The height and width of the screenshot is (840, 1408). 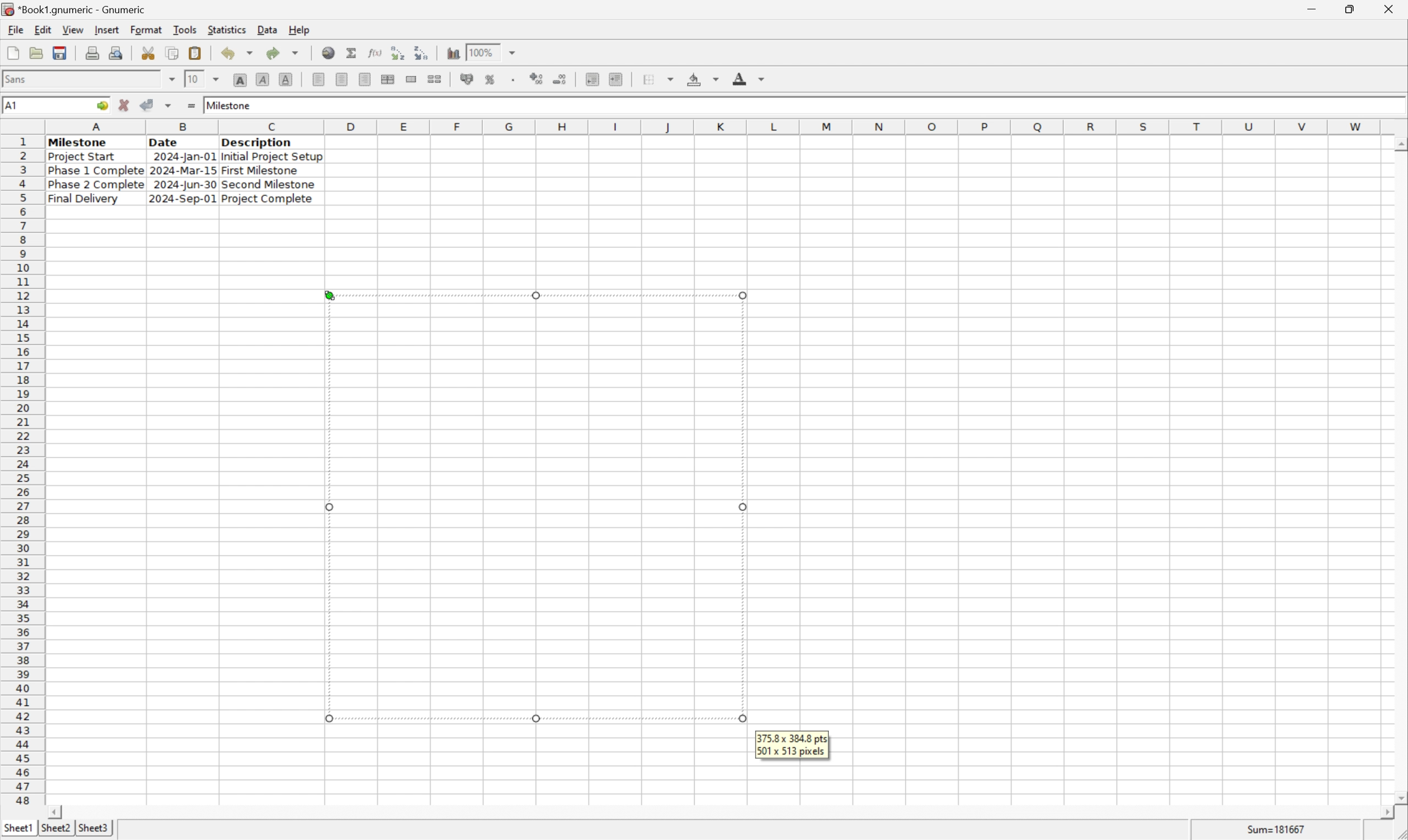 What do you see at coordinates (12, 54) in the screenshot?
I see `create a new workbook` at bounding box center [12, 54].